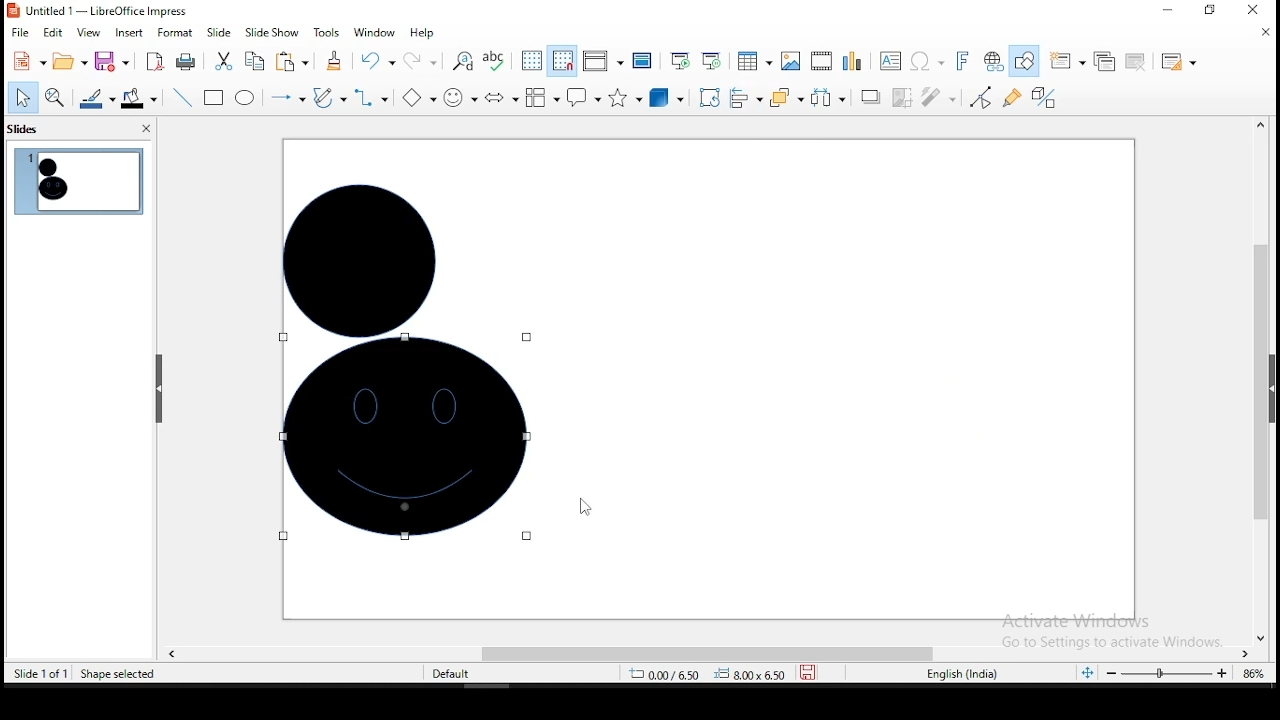 The width and height of the screenshot is (1280, 720). What do you see at coordinates (129, 33) in the screenshot?
I see `insert` at bounding box center [129, 33].